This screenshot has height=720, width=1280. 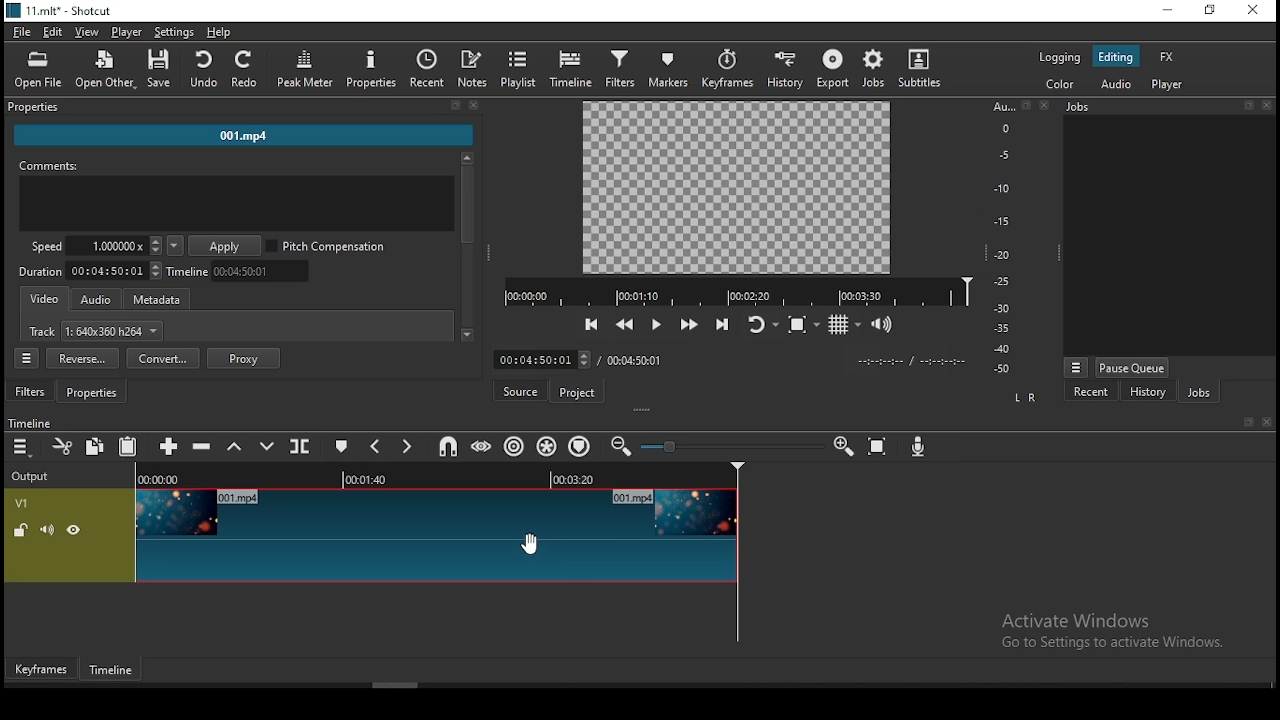 What do you see at coordinates (126, 32) in the screenshot?
I see `player` at bounding box center [126, 32].